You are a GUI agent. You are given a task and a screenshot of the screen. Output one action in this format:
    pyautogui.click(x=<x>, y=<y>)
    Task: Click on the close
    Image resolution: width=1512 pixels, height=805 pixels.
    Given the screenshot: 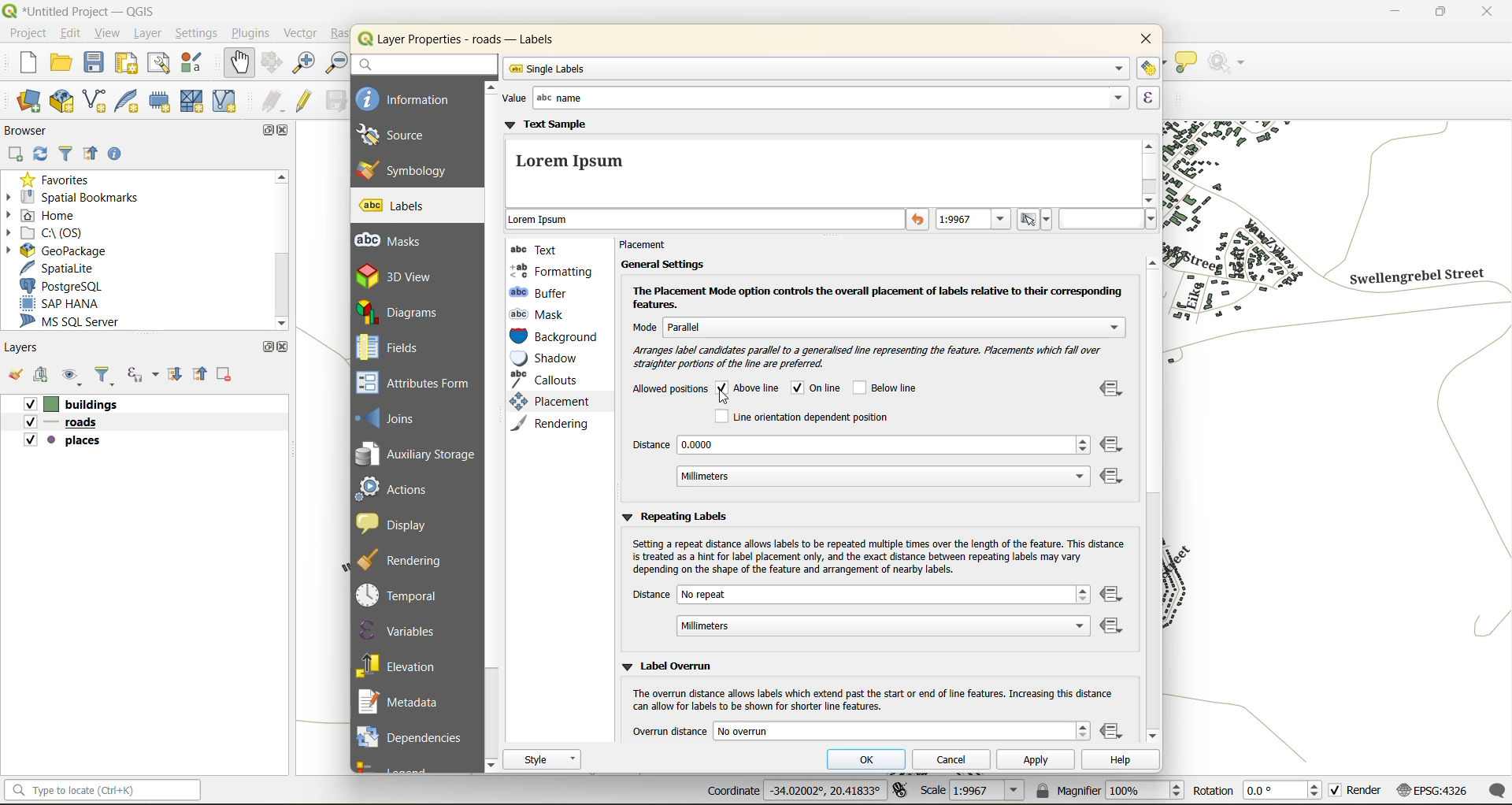 What is the action you would take?
    pyautogui.click(x=1141, y=40)
    